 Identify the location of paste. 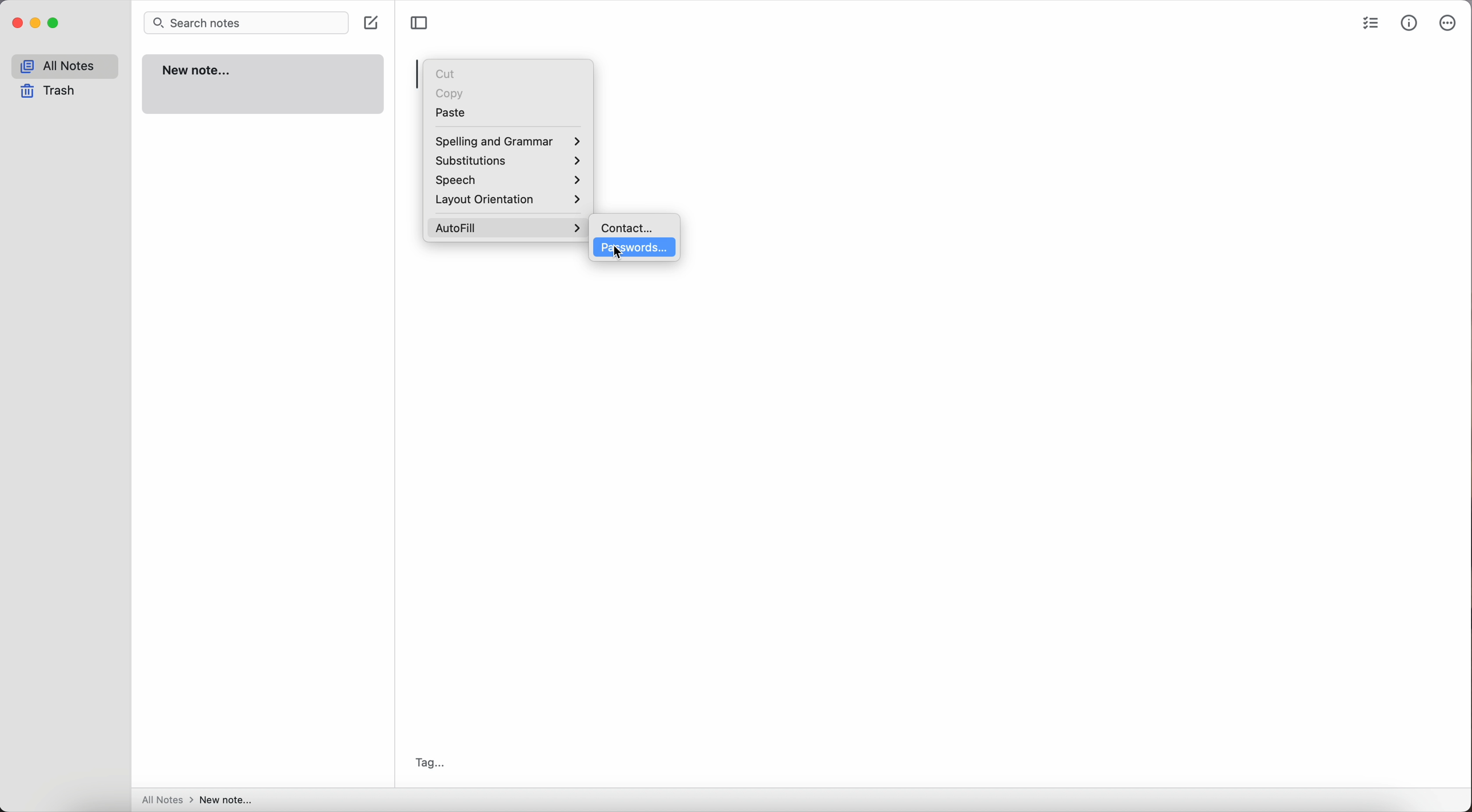
(452, 113).